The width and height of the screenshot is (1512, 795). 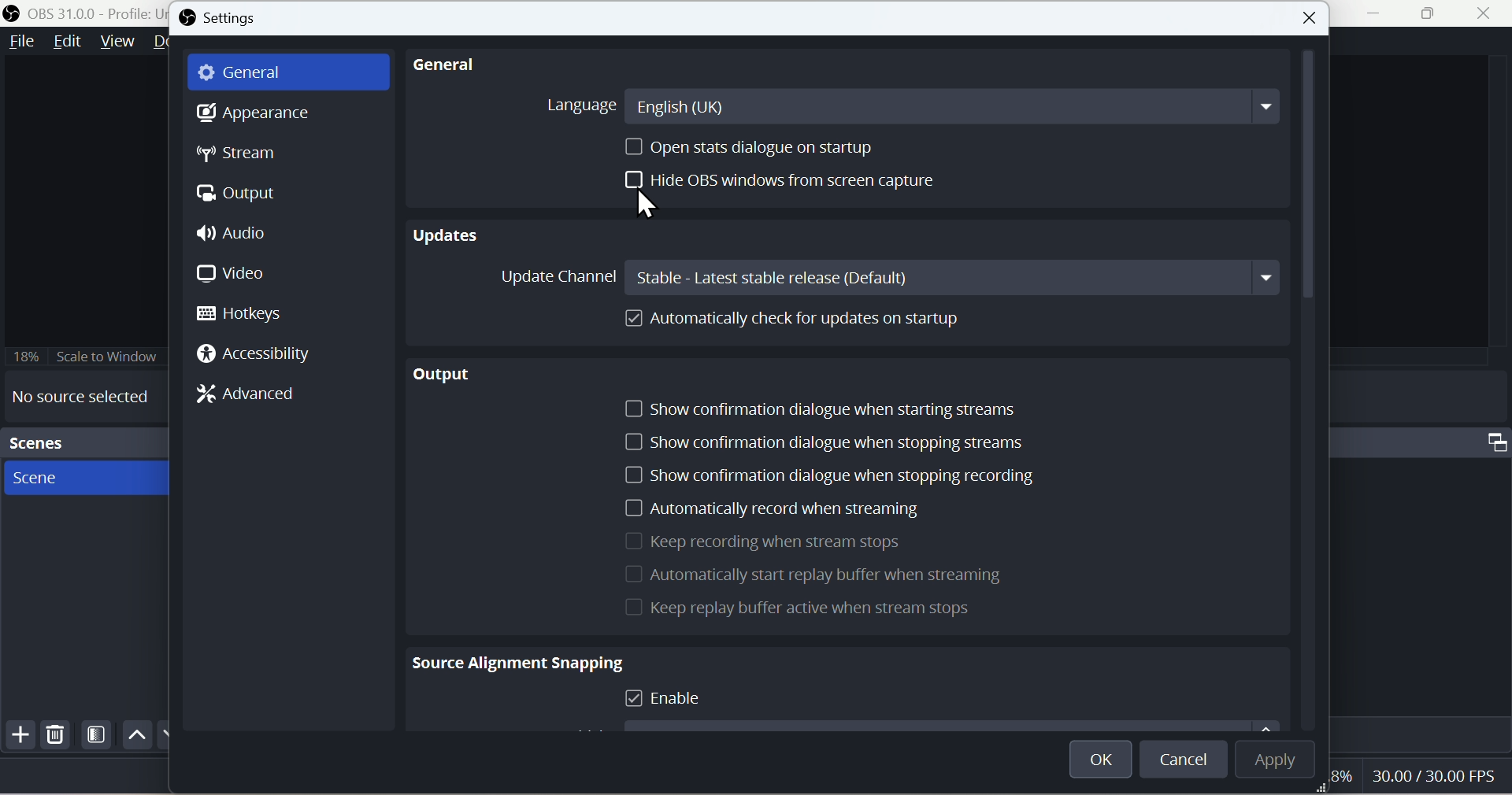 I want to click on 30.00 FPS, so click(x=1440, y=776).